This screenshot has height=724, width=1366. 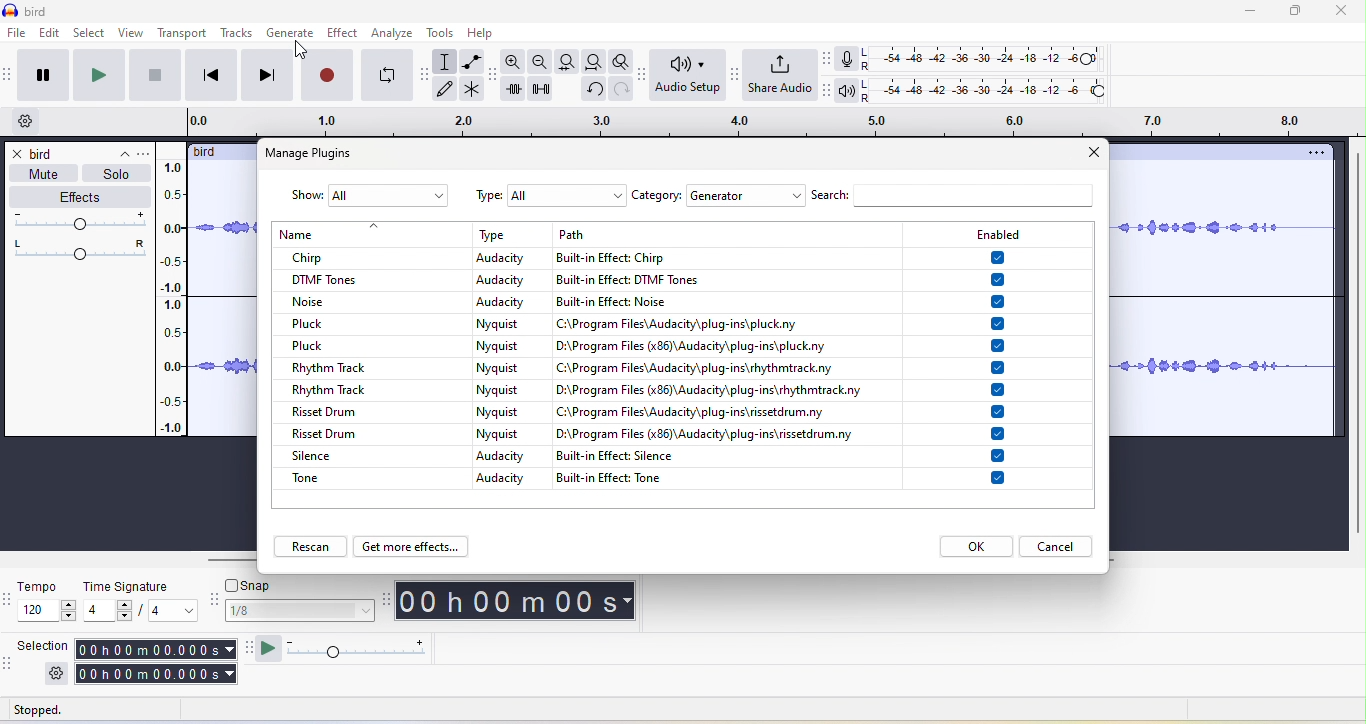 I want to click on bird, so click(x=205, y=151).